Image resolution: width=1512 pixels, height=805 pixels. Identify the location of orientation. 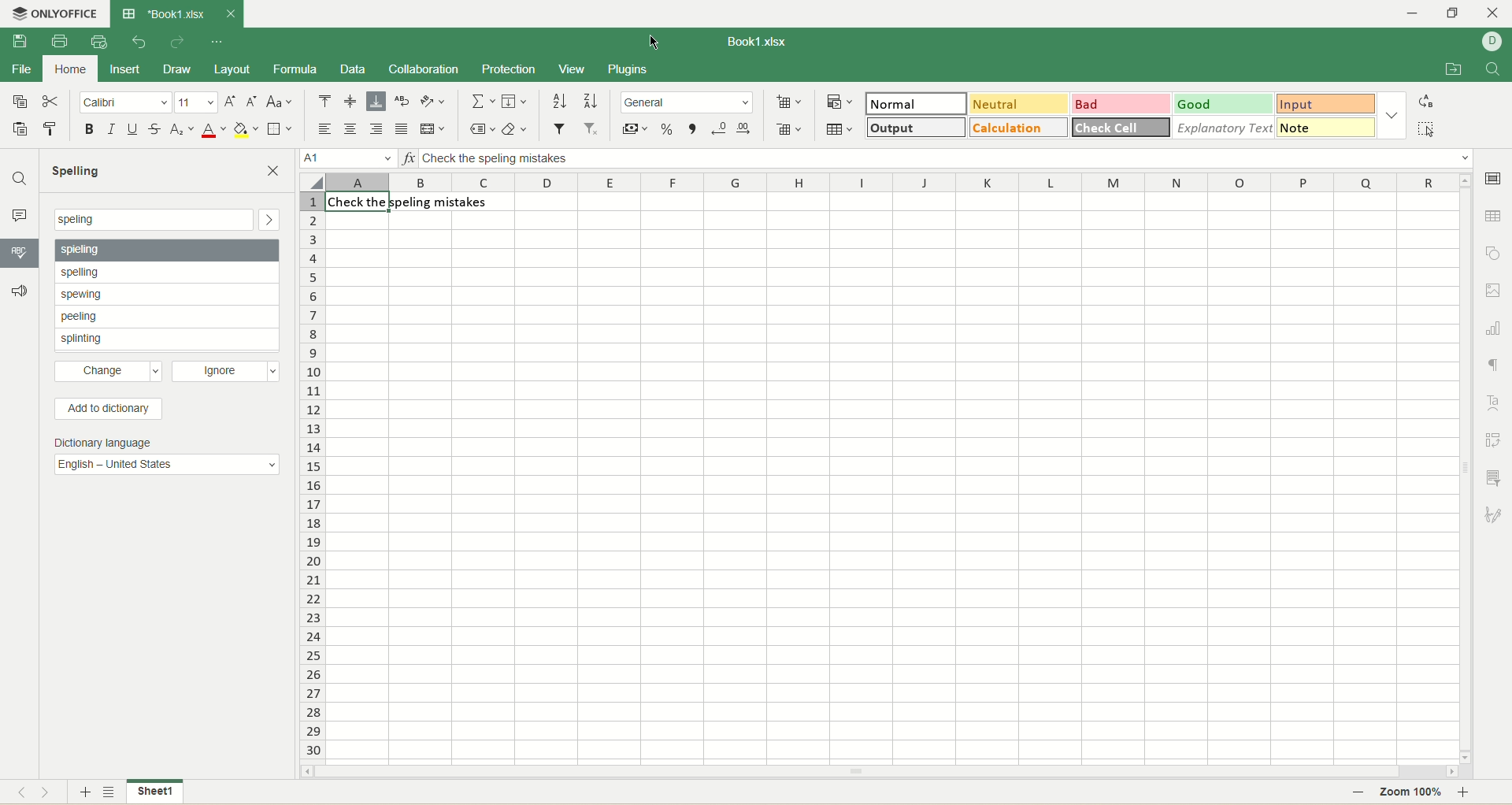
(432, 100).